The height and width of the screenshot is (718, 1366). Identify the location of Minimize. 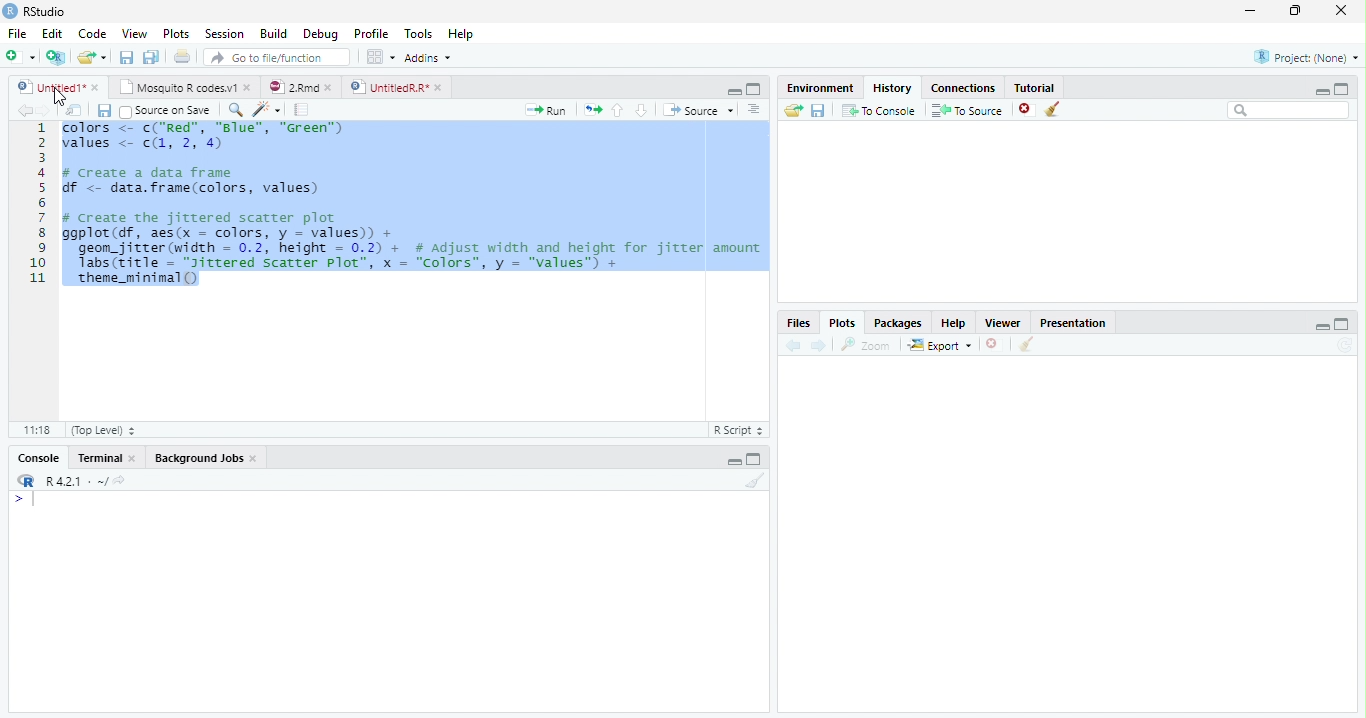
(1321, 326).